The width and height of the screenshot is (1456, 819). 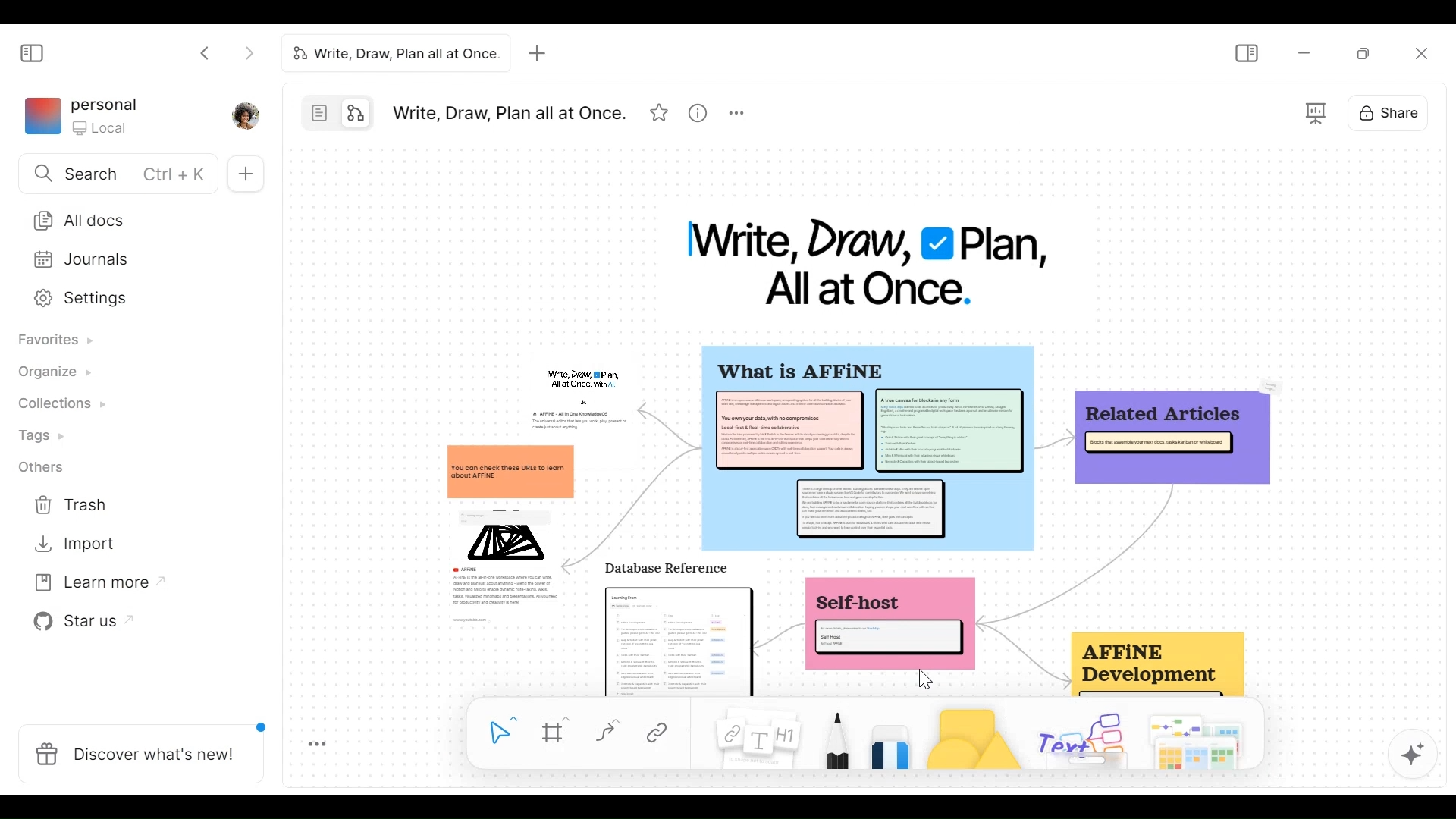 I want to click on Settings, so click(x=130, y=299).